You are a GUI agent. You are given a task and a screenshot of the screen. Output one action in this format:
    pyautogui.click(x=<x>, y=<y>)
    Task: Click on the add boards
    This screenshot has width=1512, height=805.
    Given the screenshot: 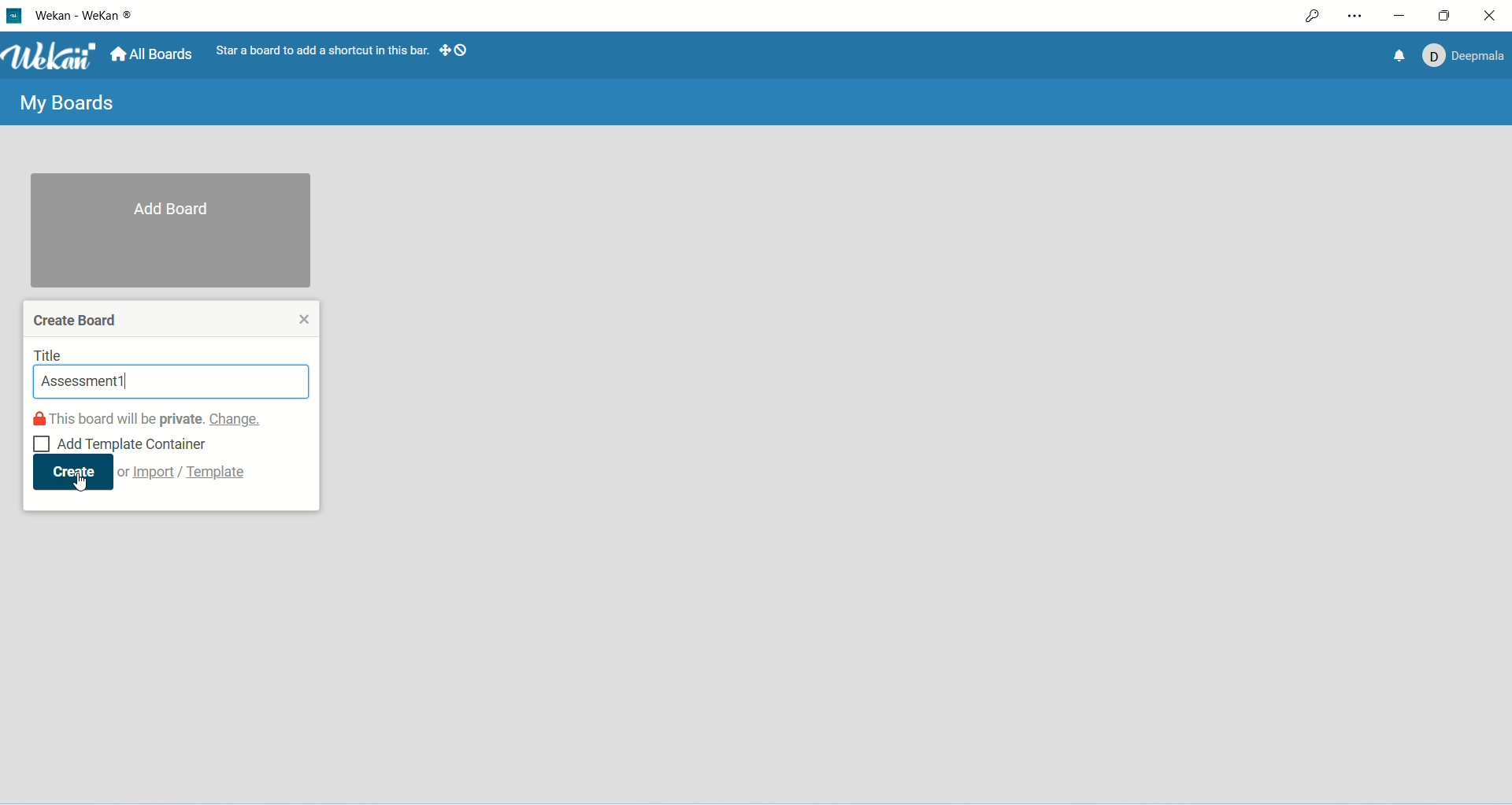 What is the action you would take?
    pyautogui.click(x=171, y=231)
    